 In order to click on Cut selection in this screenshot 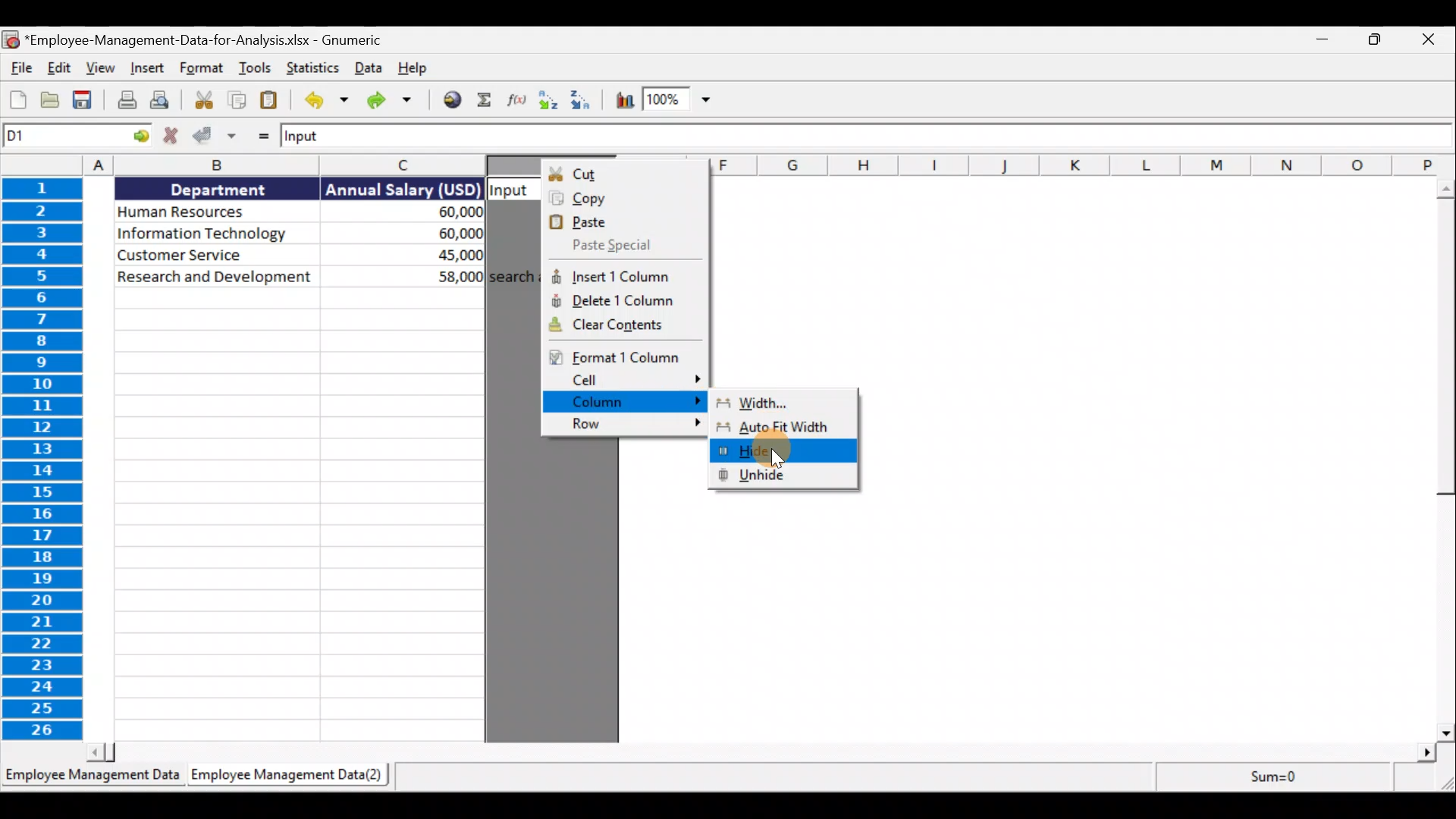, I will do `click(202, 101)`.